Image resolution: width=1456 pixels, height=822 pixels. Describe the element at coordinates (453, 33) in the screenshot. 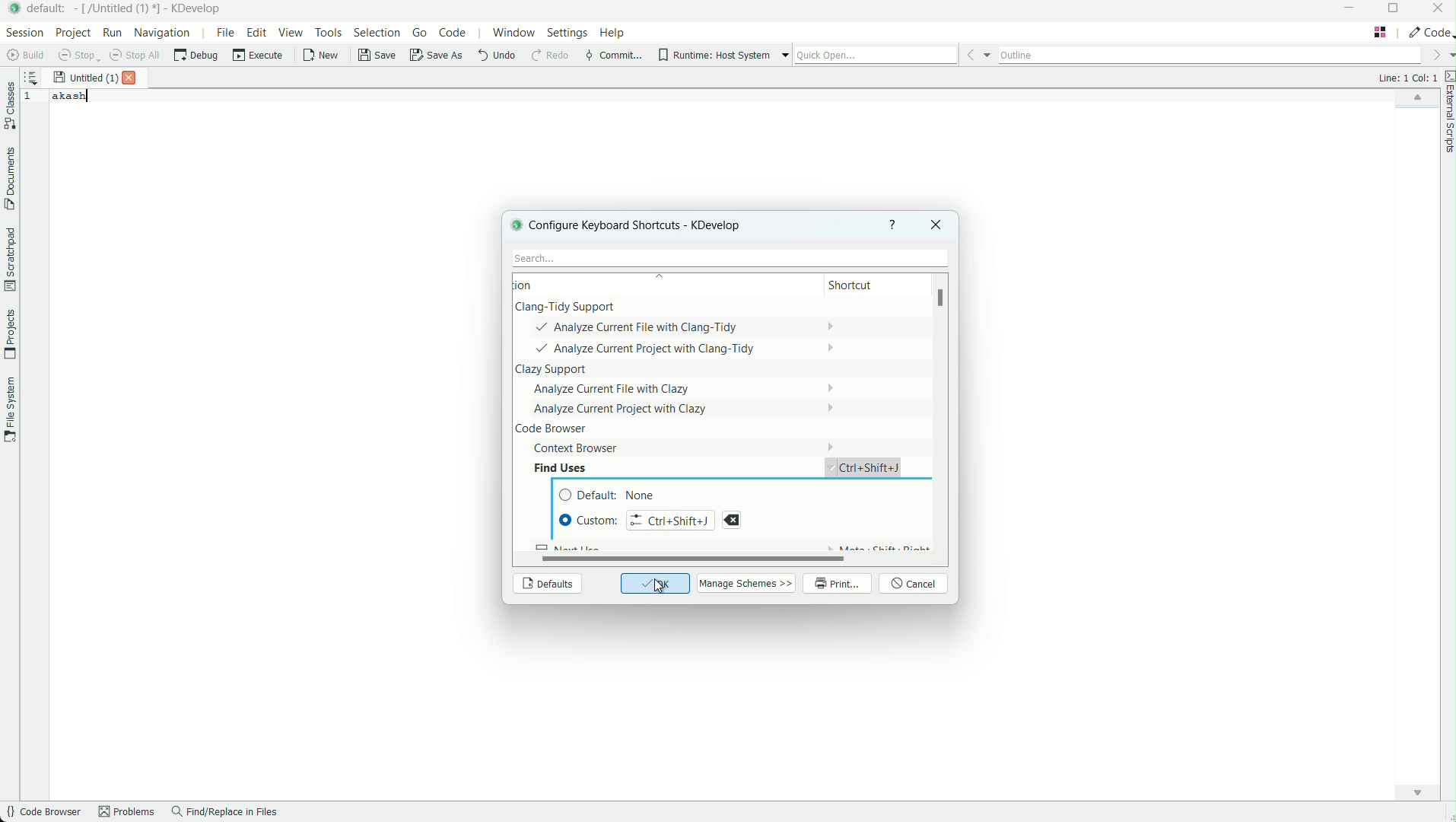

I see `code menu` at that location.